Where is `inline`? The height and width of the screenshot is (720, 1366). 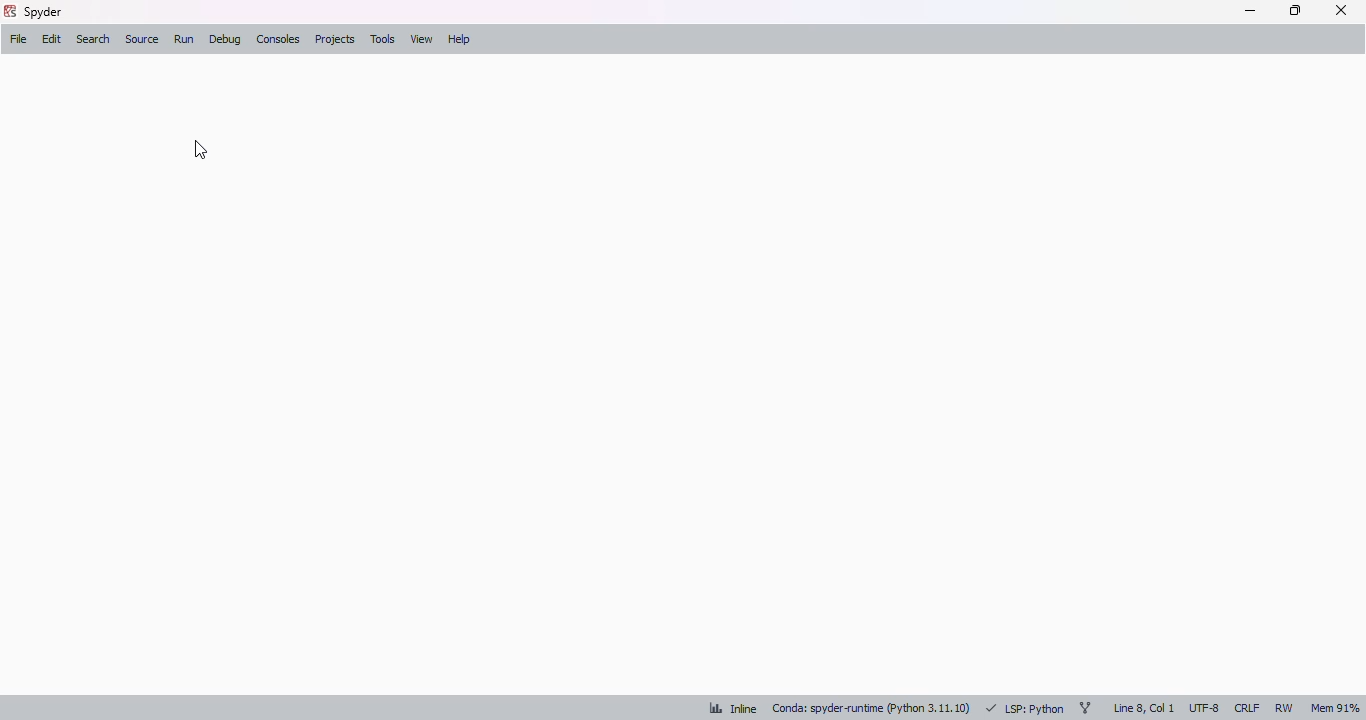 inline is located at coordinates (733, 708).